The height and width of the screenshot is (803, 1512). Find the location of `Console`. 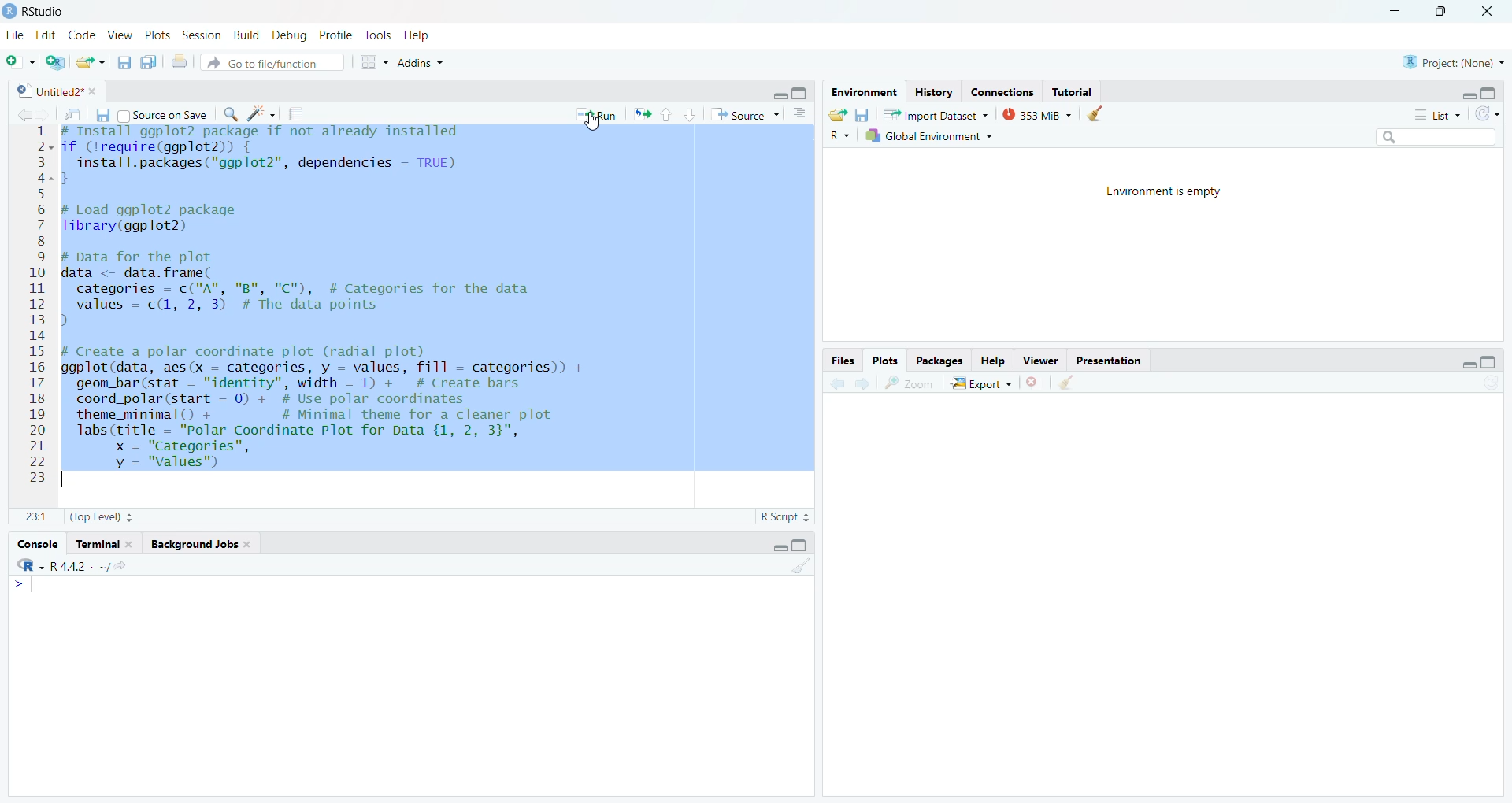

Console is located at coordinates (35, 546).